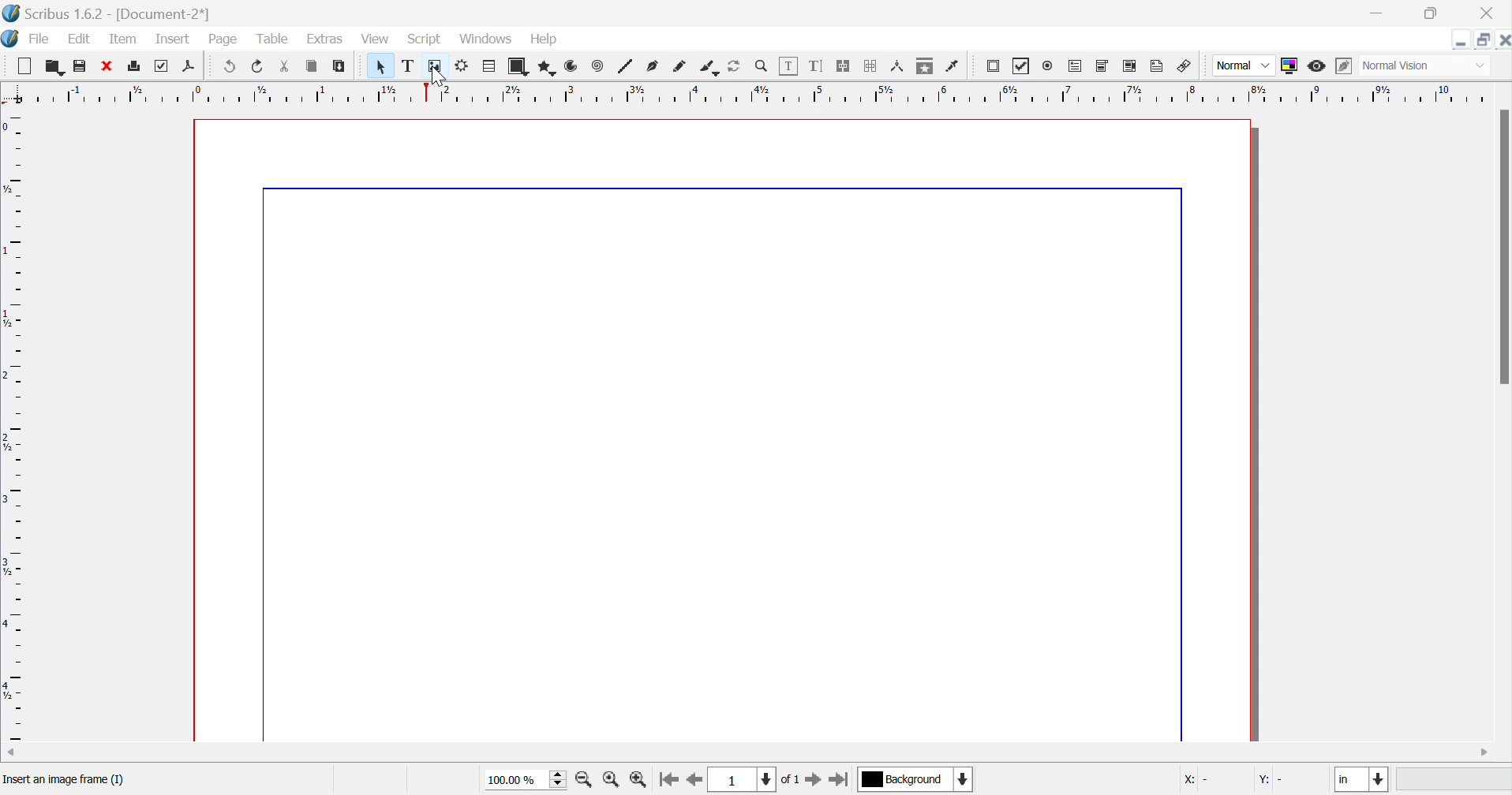  I want to click on normal vision, so click(1424, 66).